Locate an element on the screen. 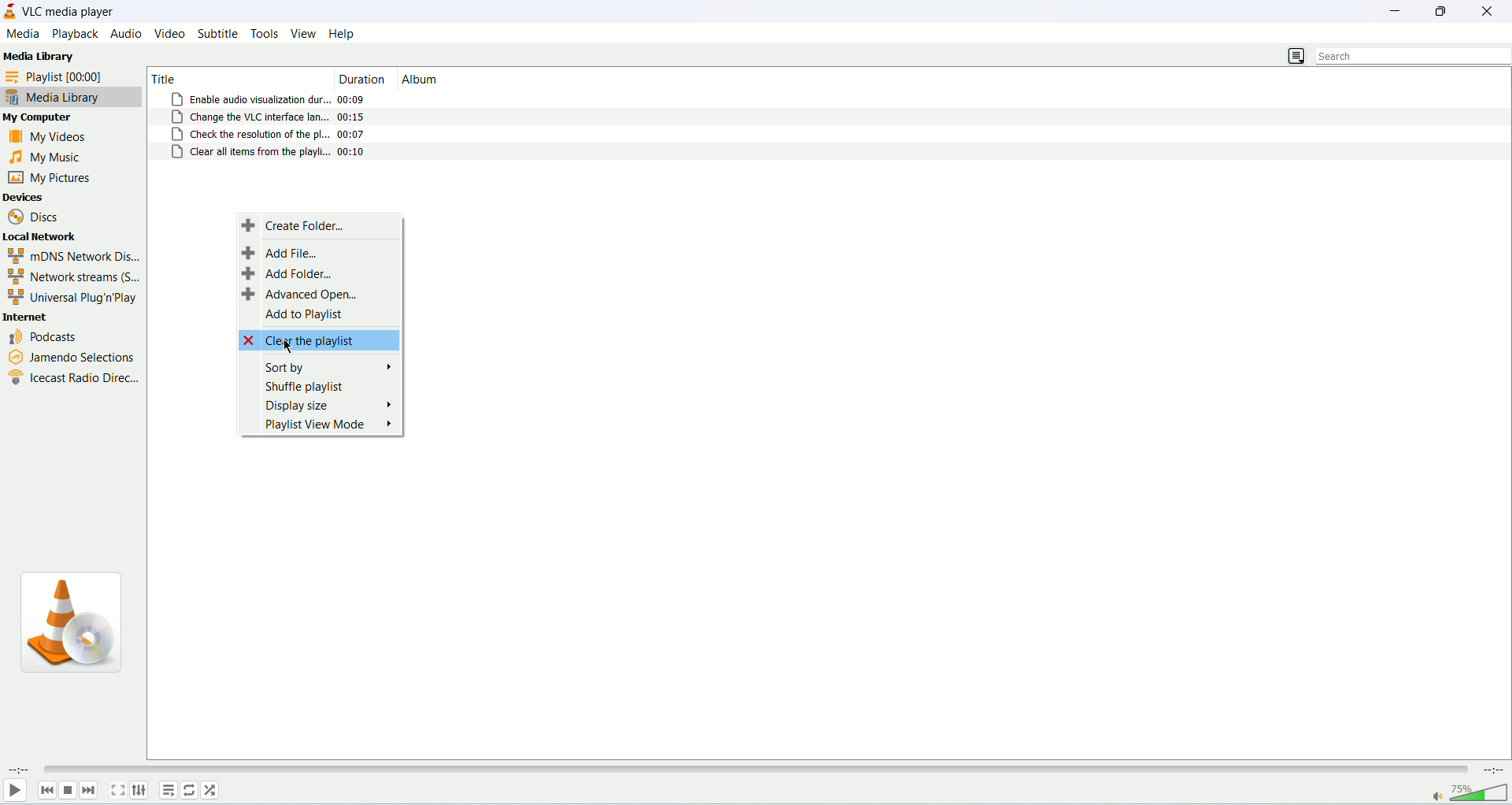 This screenshot has width=1512, height=805. add file is located at coordinates (280, 252).